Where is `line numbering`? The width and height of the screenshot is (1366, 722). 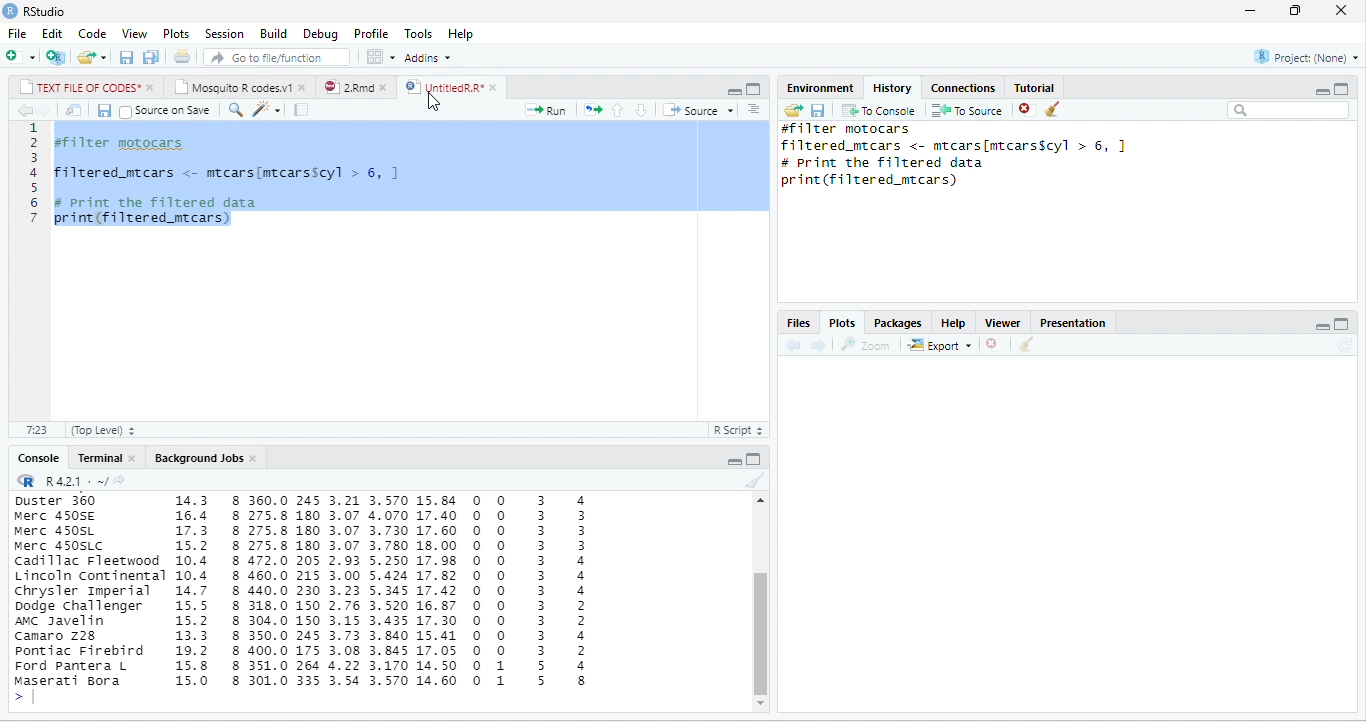
line numbering is located at coordinates (34, 173).